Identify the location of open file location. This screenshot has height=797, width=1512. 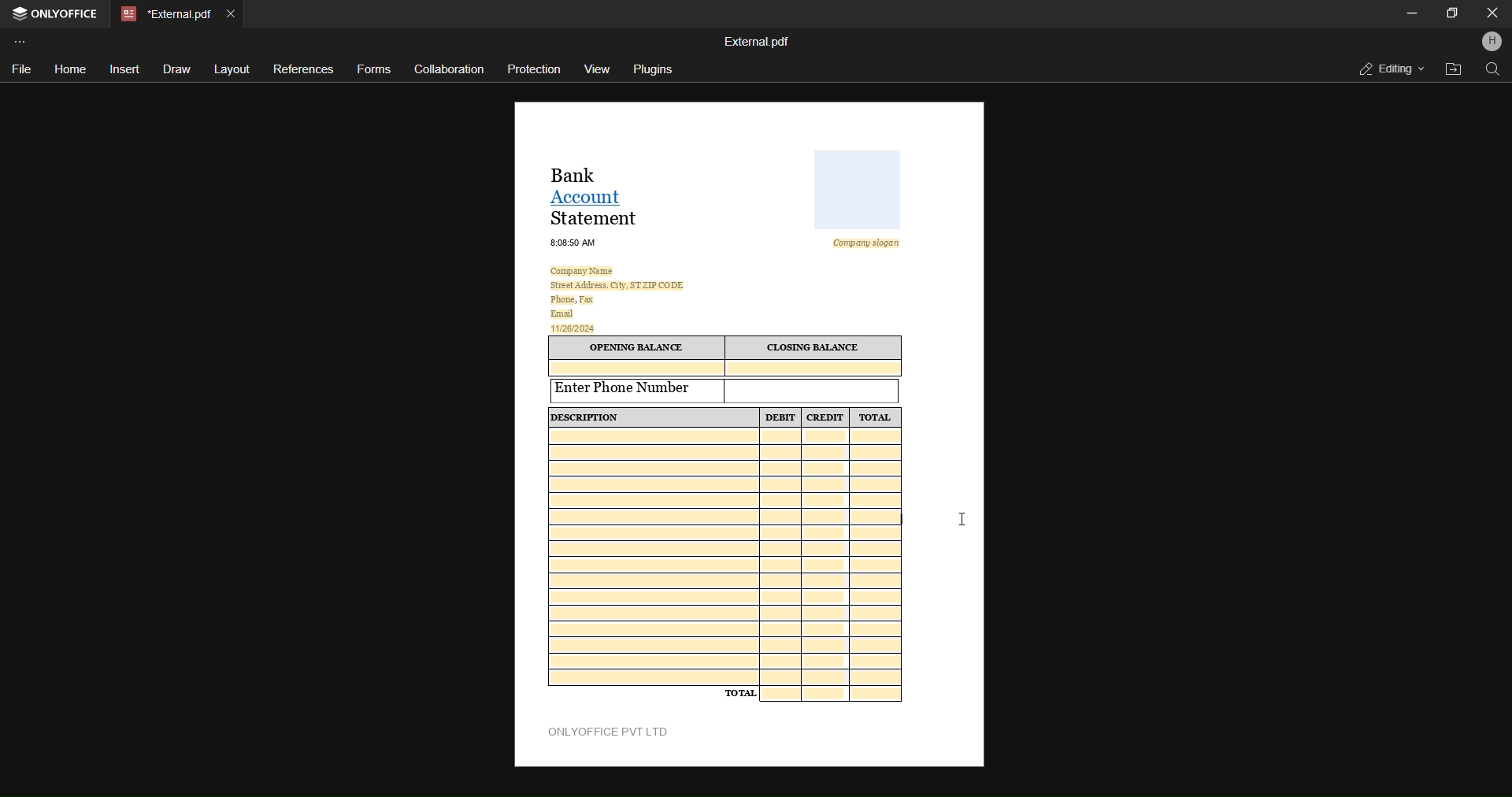
(1451, 70).